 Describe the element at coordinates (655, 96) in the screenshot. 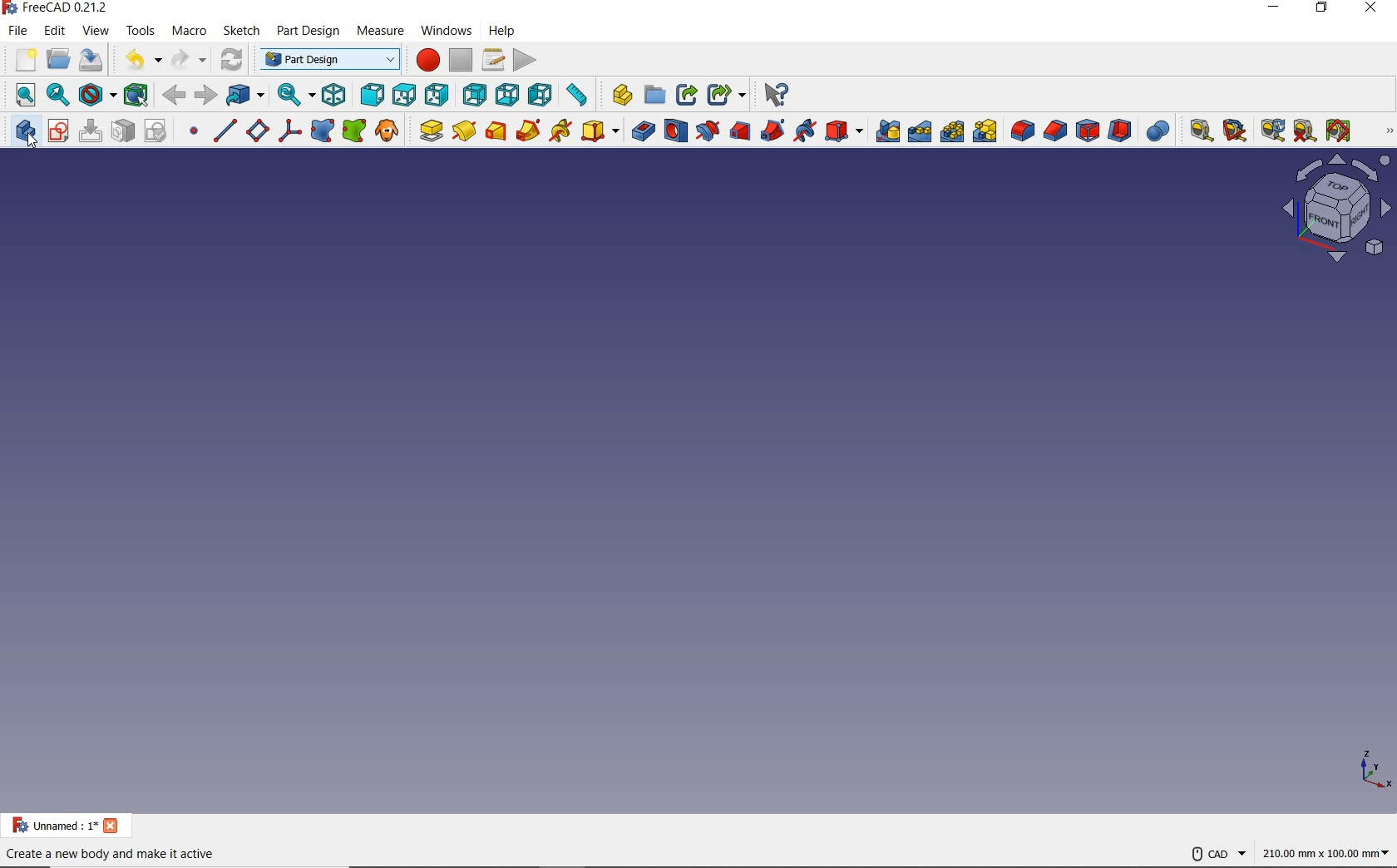

I see `Open` at that location.